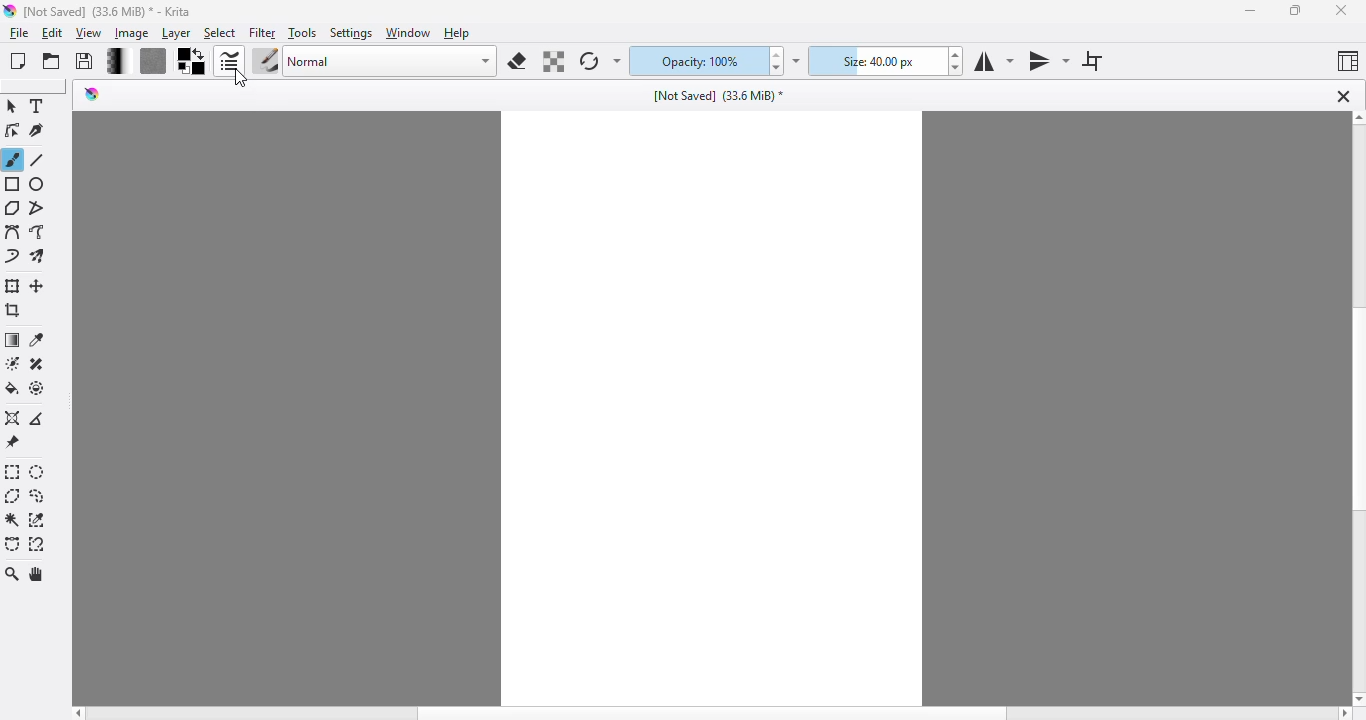 Image resolution: width=1366 pixels, height=720 pixels. Describe the element at coordinates (353, 34) in the screenshot. I see `settings` at that location.